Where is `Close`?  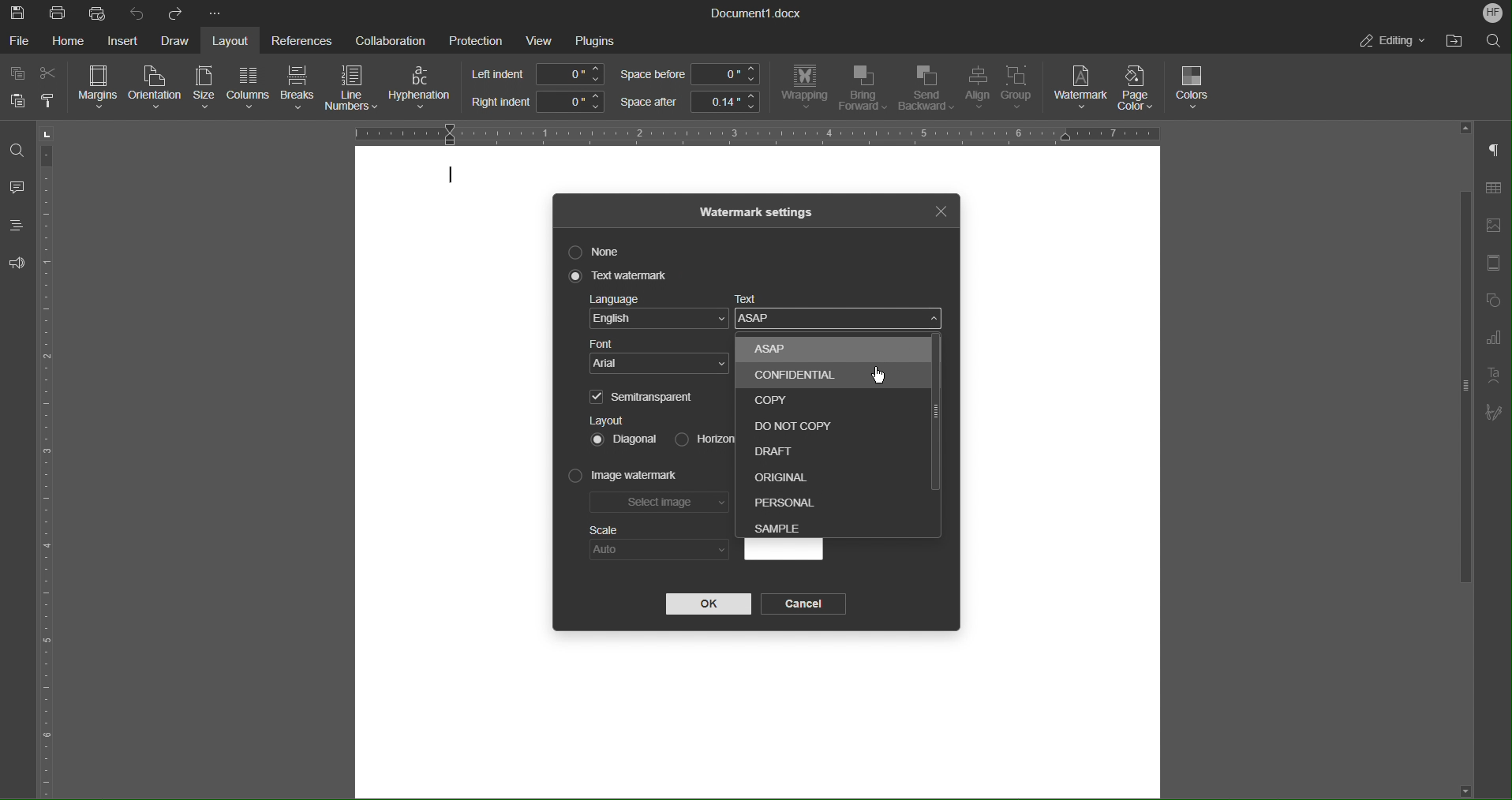
Close is located at coordinates (940, 209).